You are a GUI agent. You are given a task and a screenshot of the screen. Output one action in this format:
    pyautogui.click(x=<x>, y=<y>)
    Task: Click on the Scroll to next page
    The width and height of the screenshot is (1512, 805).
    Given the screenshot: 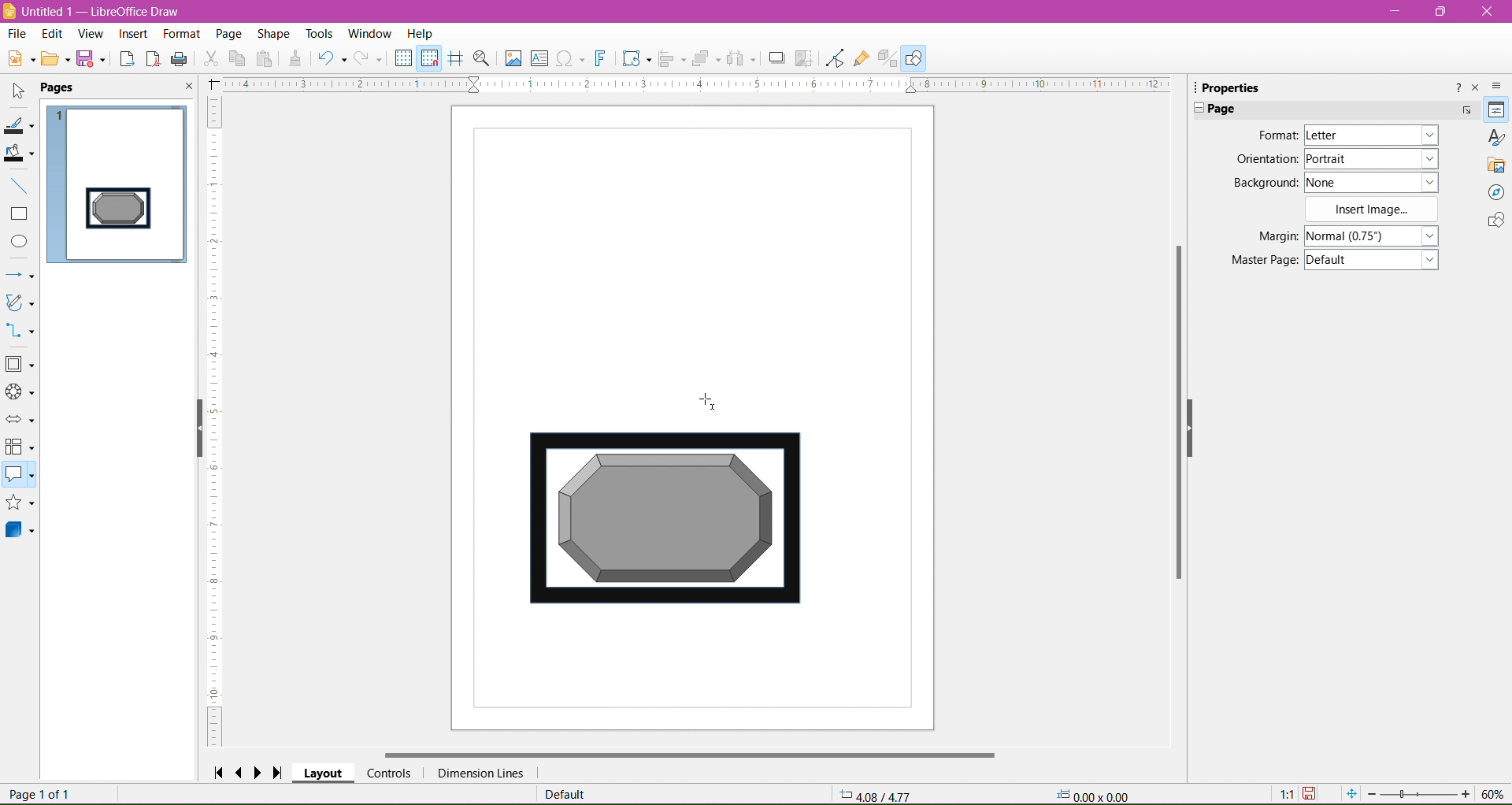 What is the action you would take?
    pyautogui.click(x=261, y=772)
    